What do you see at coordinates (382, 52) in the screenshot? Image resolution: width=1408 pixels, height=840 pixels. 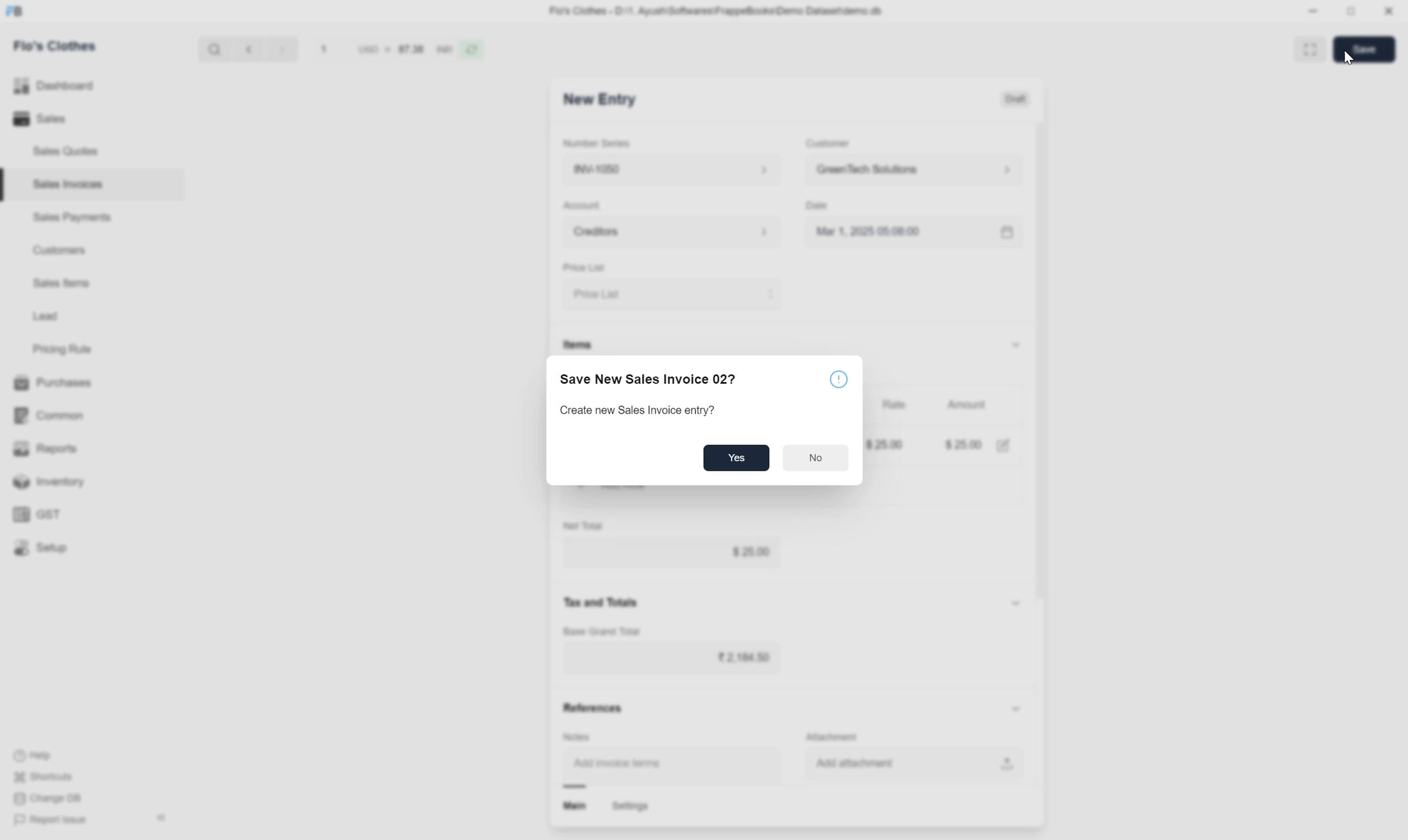 I see `USD = 87.38 INR` at bounding box center [382, 52].